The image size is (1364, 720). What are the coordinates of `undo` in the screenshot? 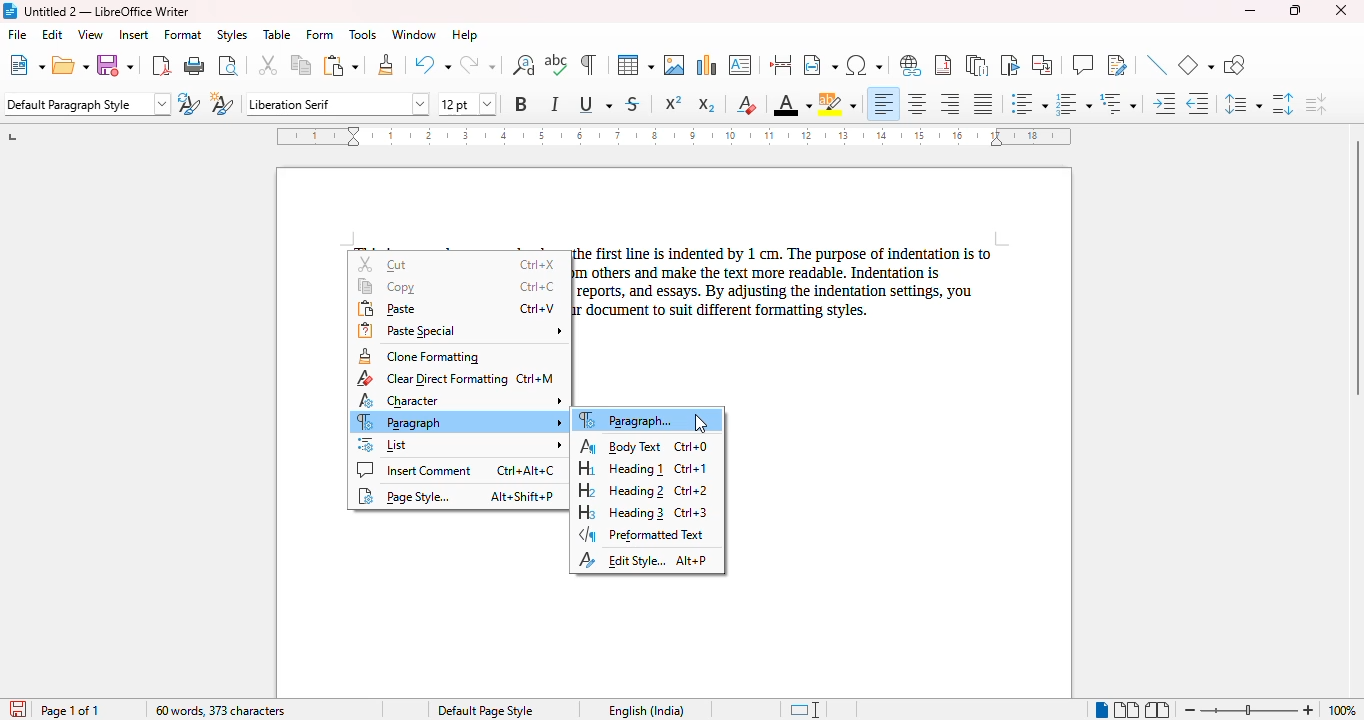 It's located at (432, 64).